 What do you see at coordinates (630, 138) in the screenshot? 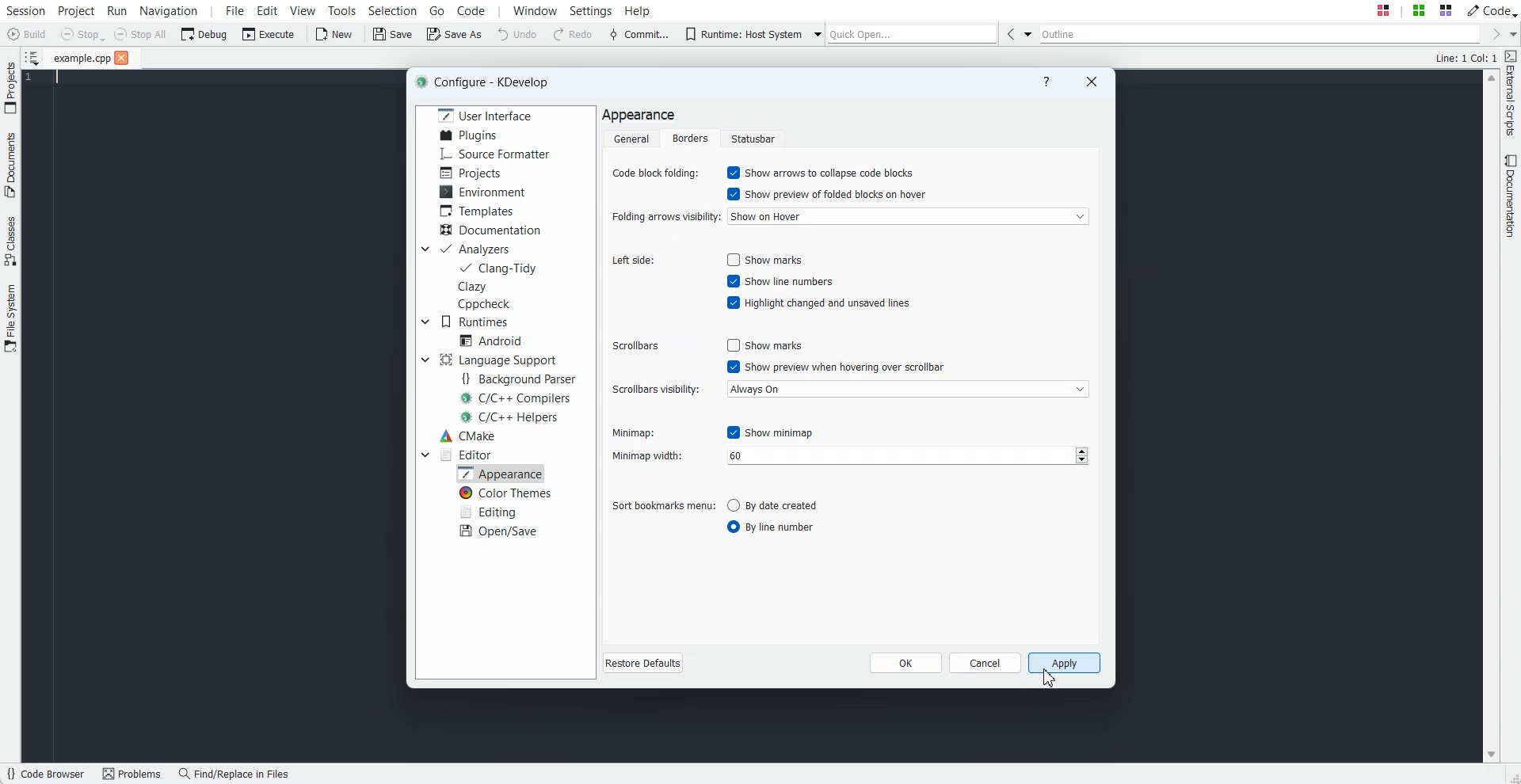
I see `General folder selected` at bounding box center [630, 138].